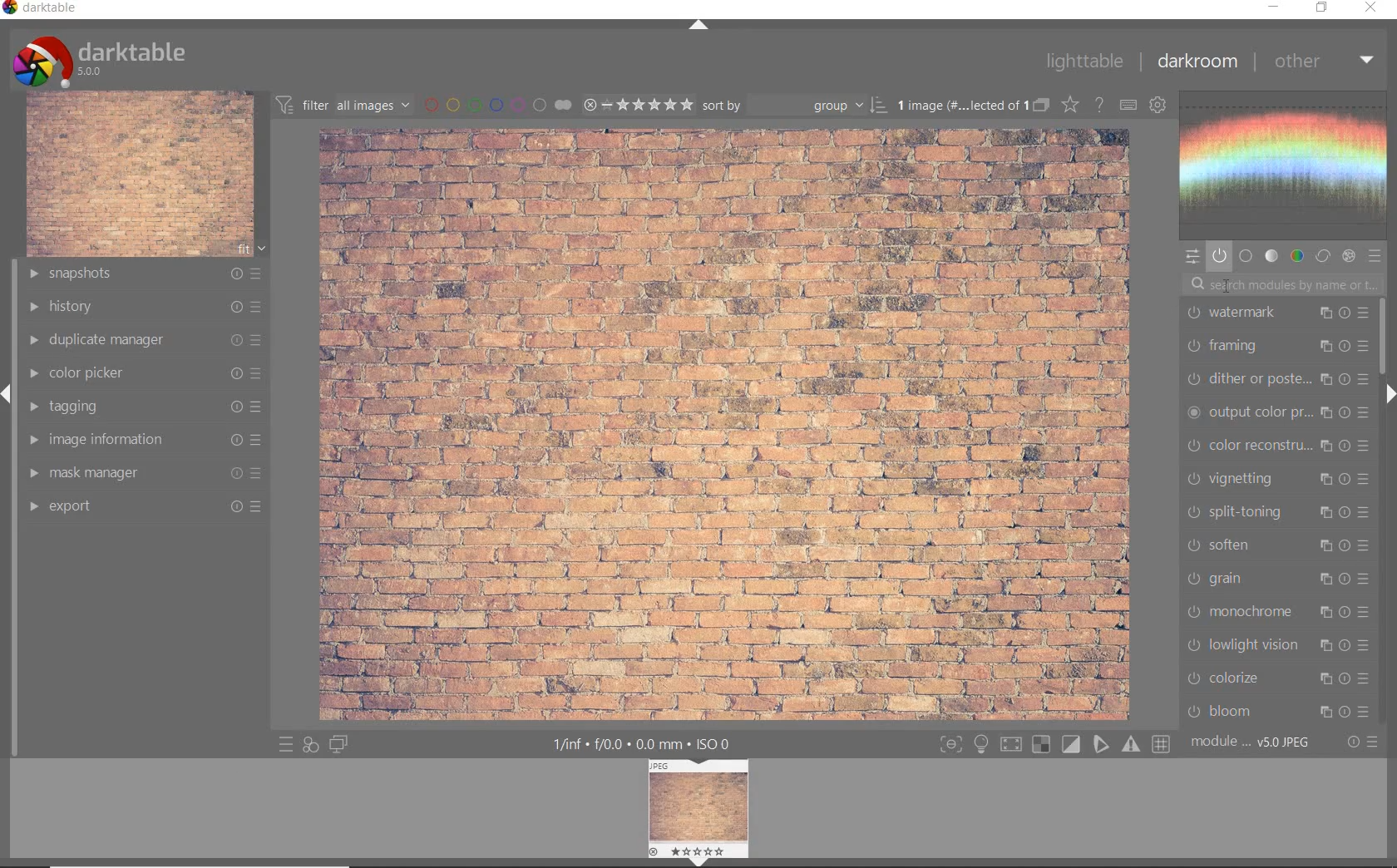  I want to click on display a second darkroom image widow, so click(340, 744).